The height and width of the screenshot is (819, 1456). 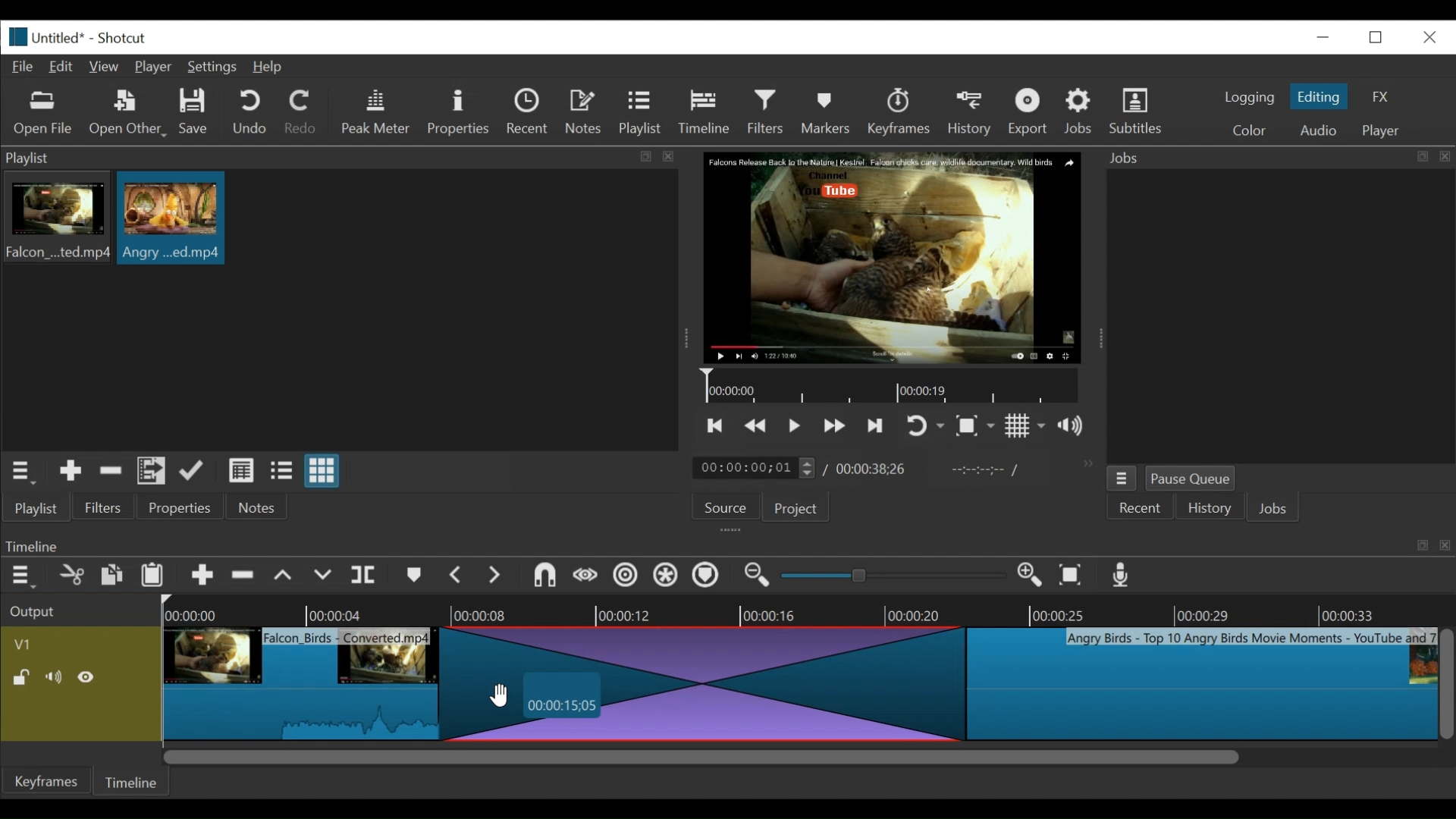 I want to click on markers, so click(x=413, y=579).